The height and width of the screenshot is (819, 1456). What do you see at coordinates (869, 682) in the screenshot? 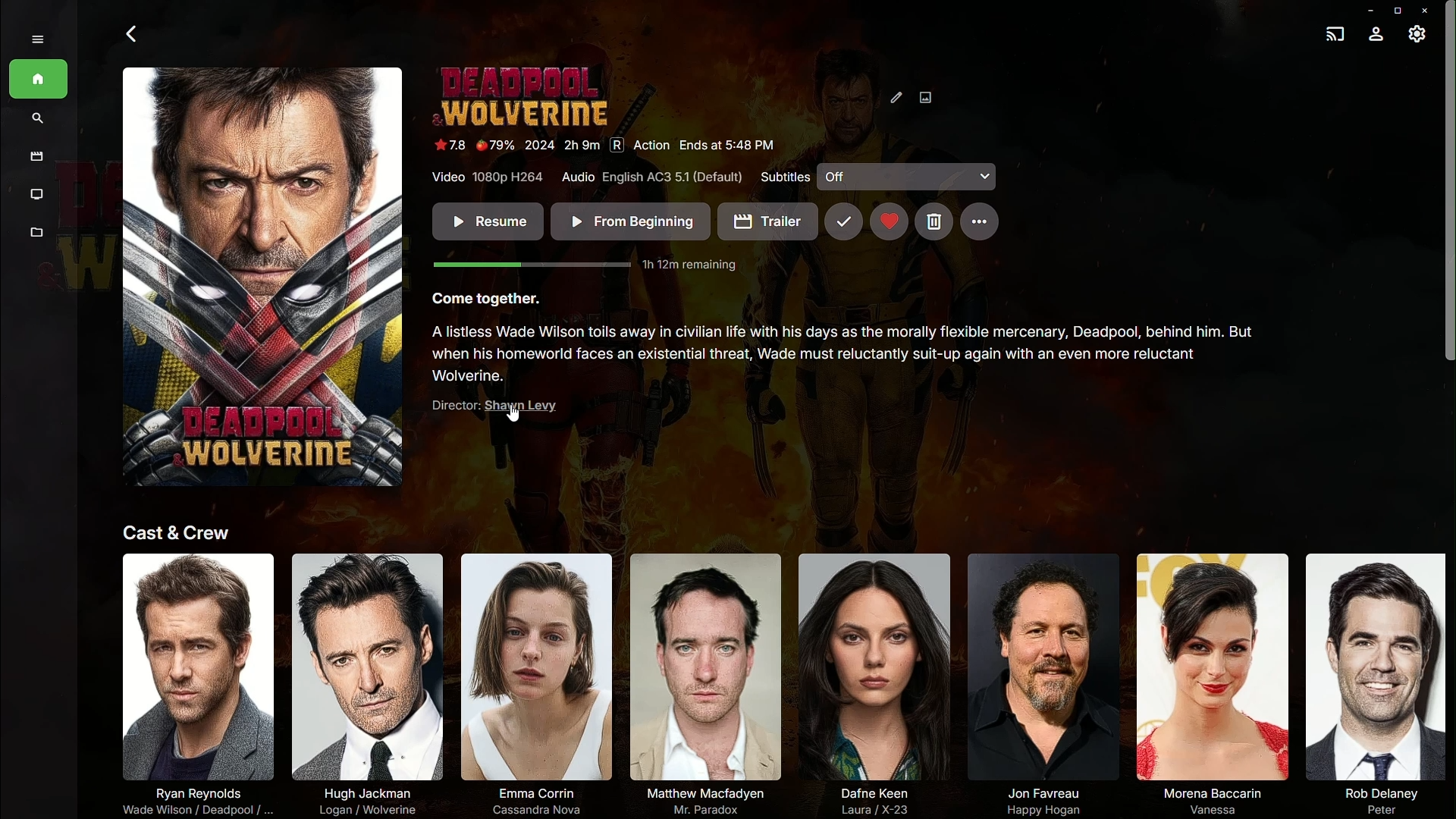
I see `Dafne Keen` at bounding box center [869, 682].